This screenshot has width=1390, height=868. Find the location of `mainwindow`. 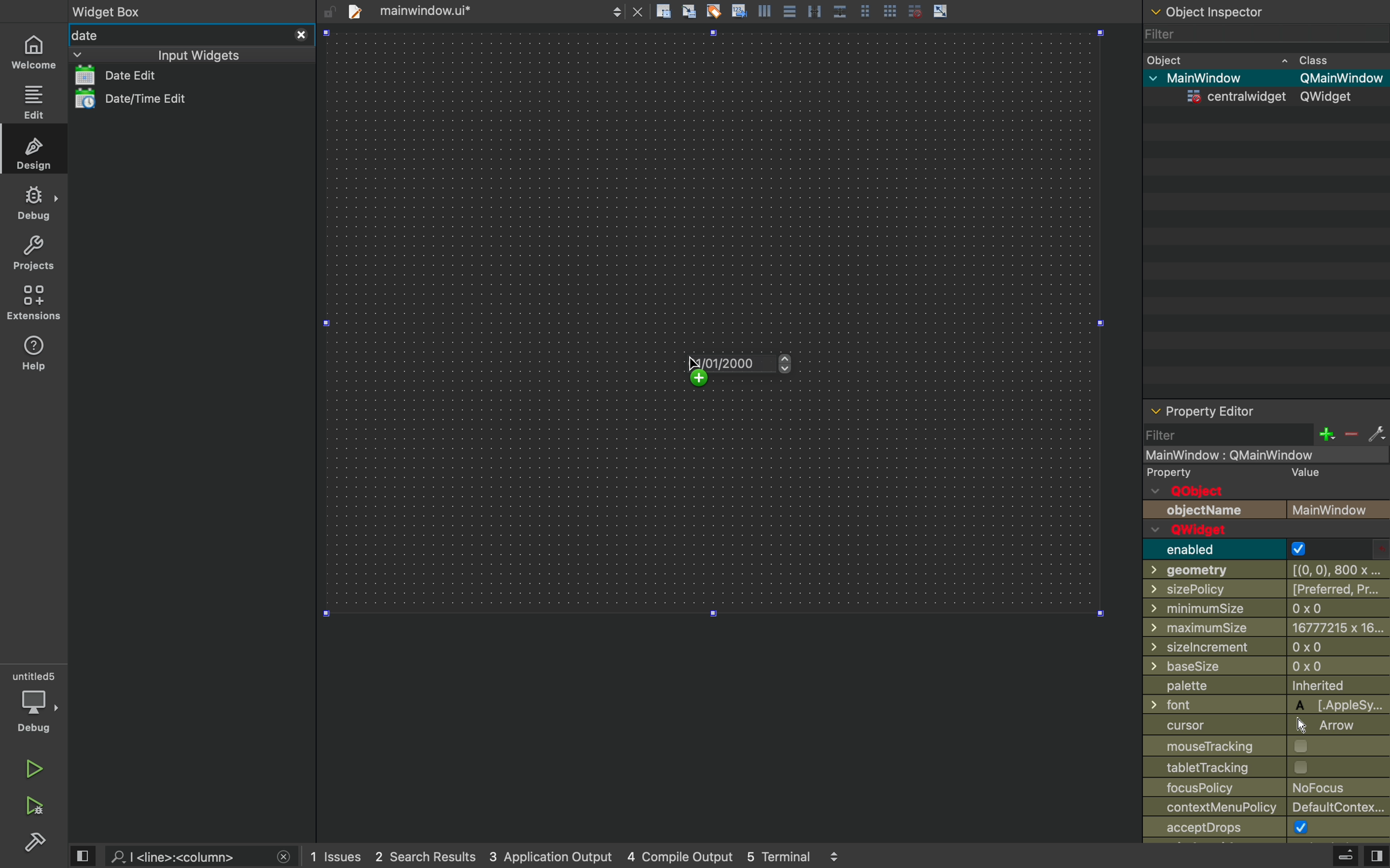

mainwindow is located at coordinates (1264, 455).